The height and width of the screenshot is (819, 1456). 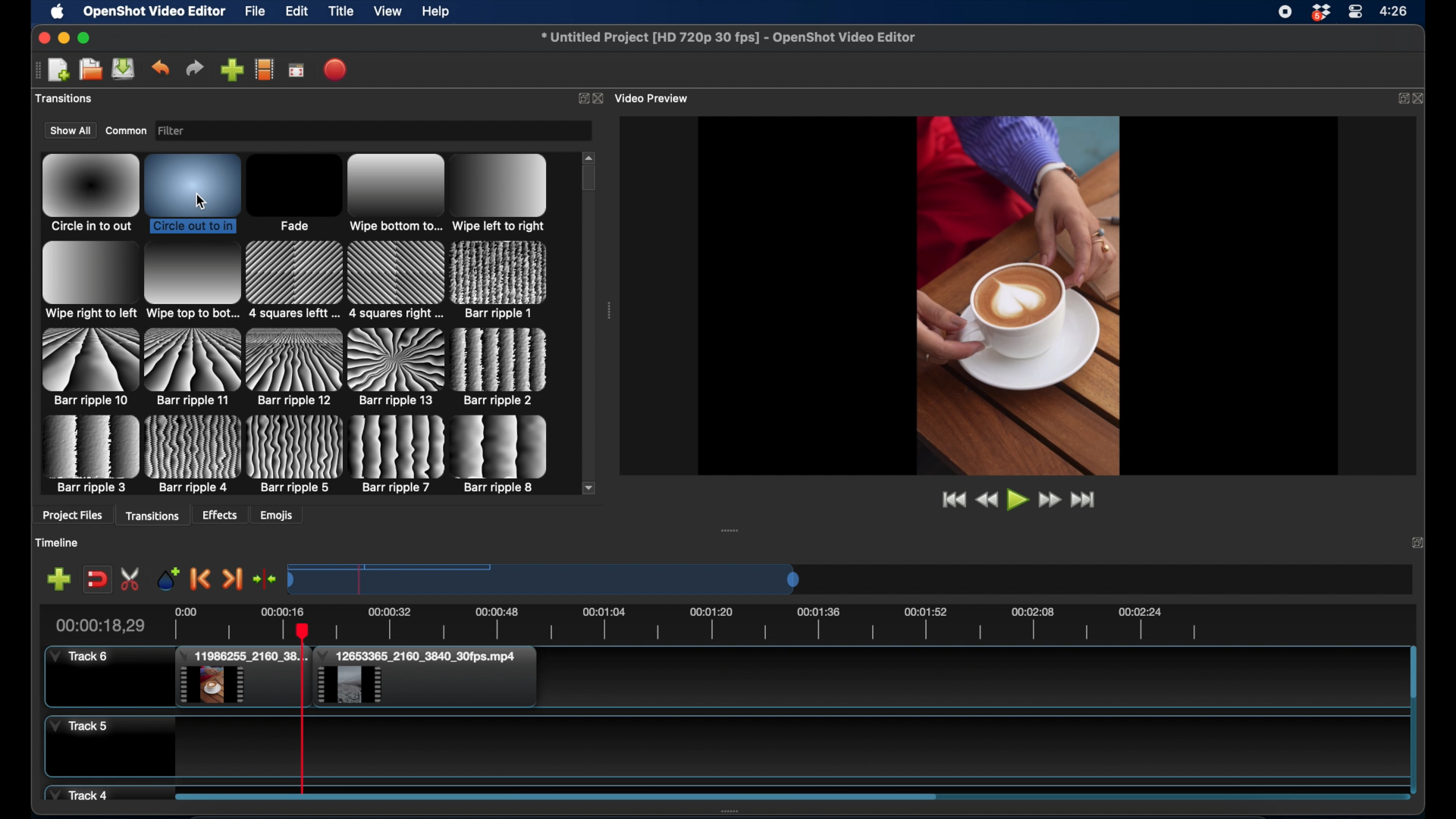 What do you see at coordinates (193, 366) in the screenshot?
I see `transition` at bounding box center [193, 366].